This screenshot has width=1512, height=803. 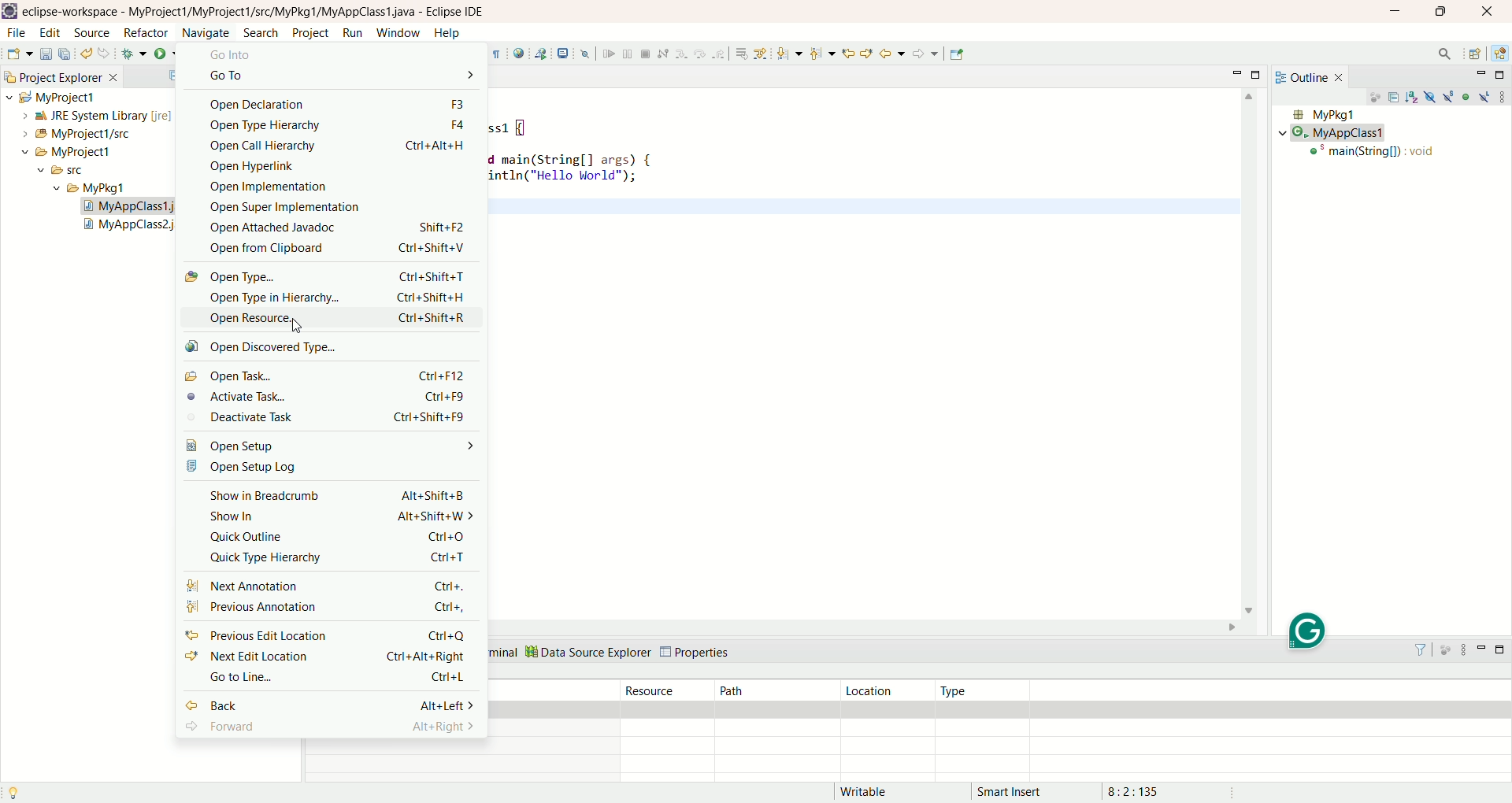 I want to click on myPkg1, so click(x=1322, y=115).